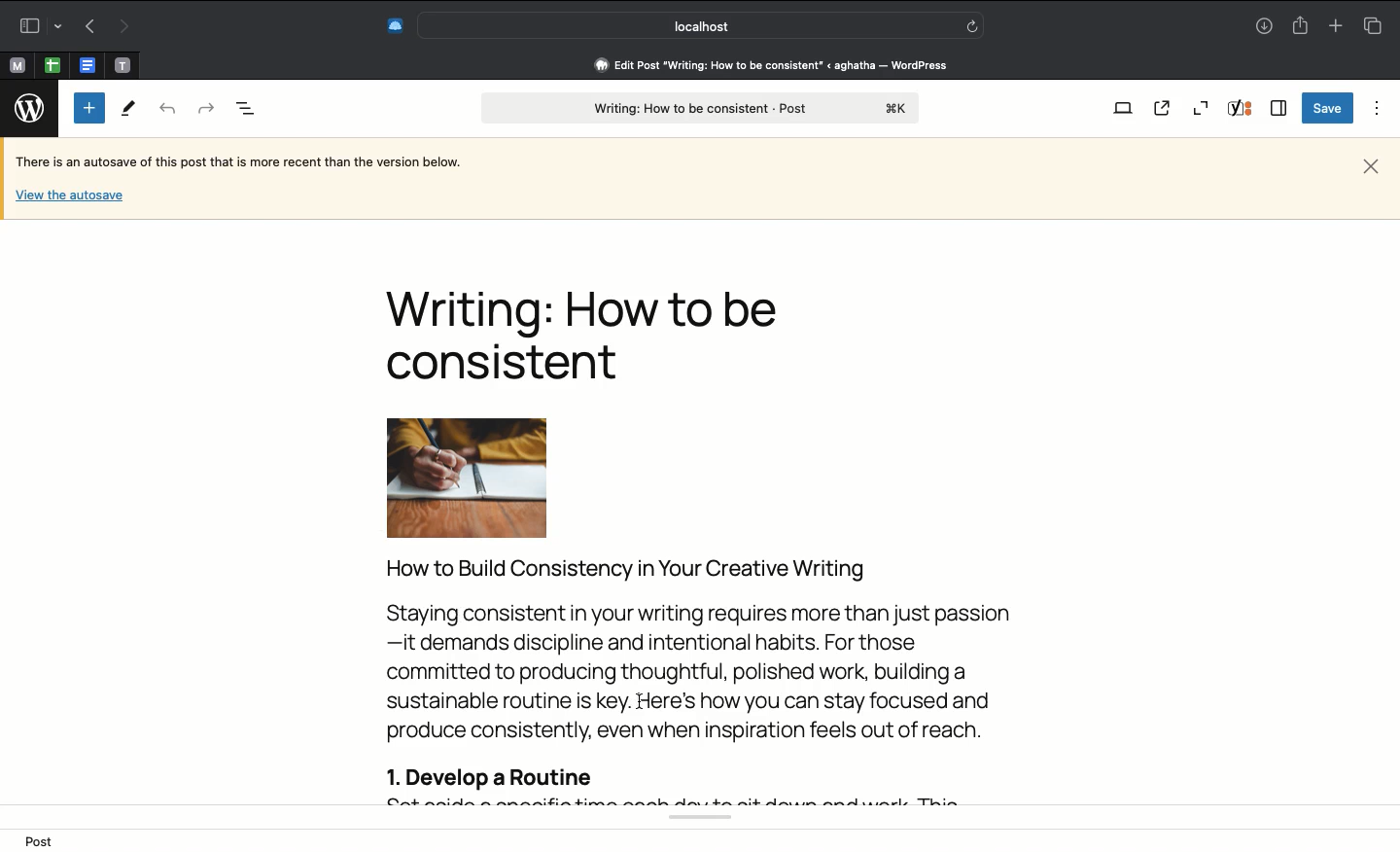  I want to click on Previous page, so click(87, 27).